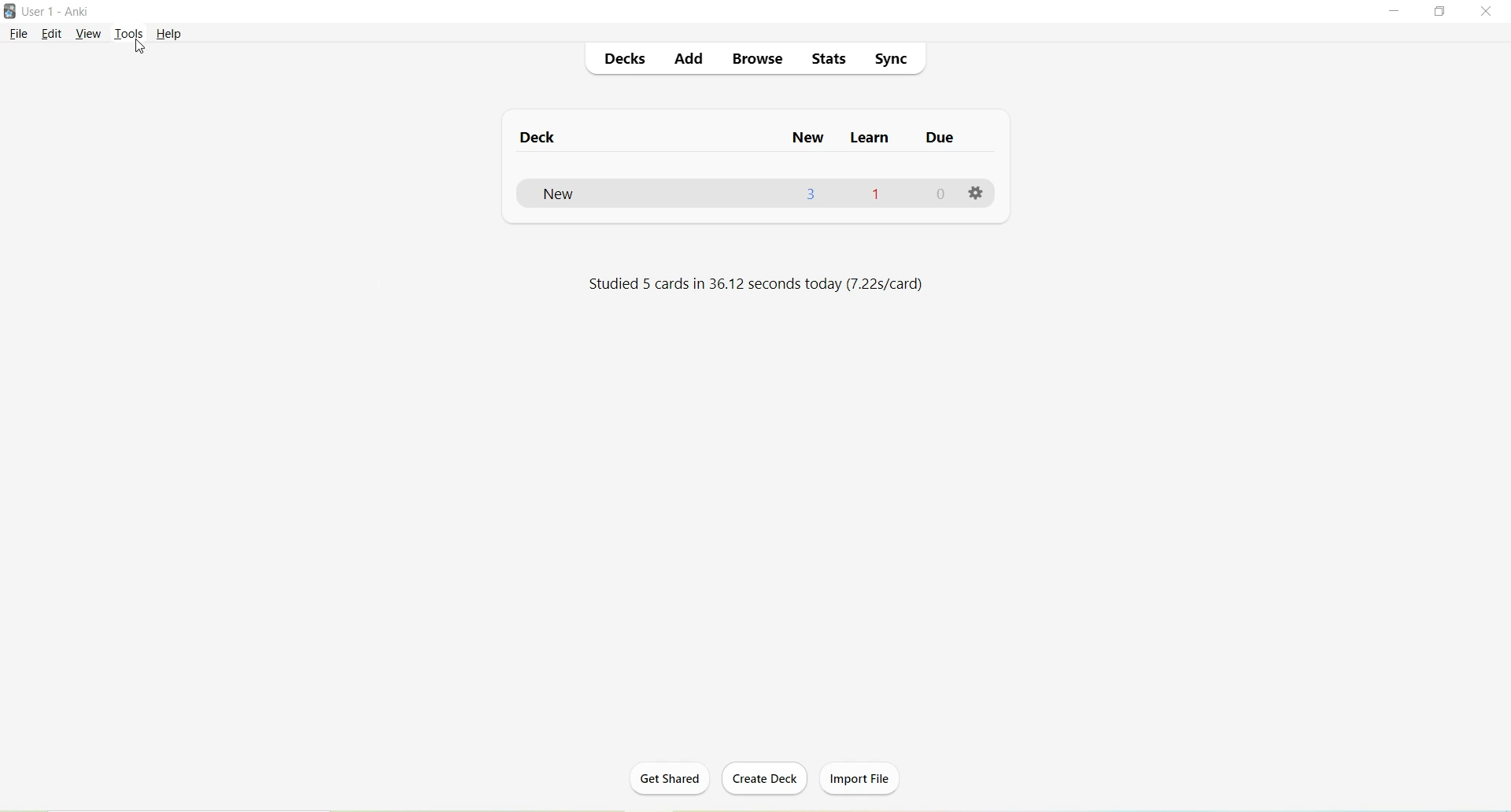 Image resolution: width=1511 pixels, height=812 pixels. What do you see at coordinates (813, 194) in the screenshot?
I see `3` at bounding box center [813, 194].